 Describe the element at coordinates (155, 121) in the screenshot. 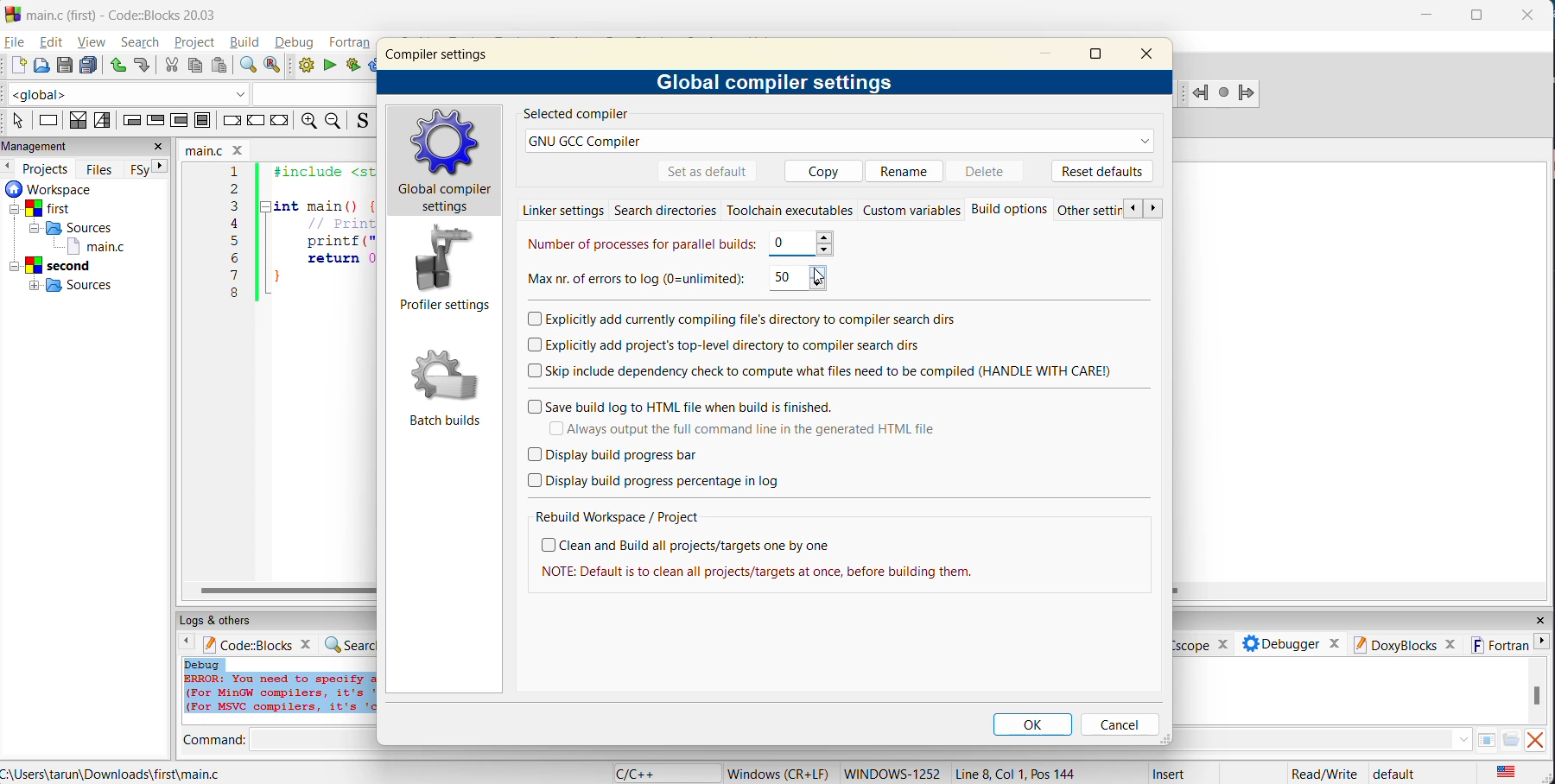

I see `exit condition loop` at that location.